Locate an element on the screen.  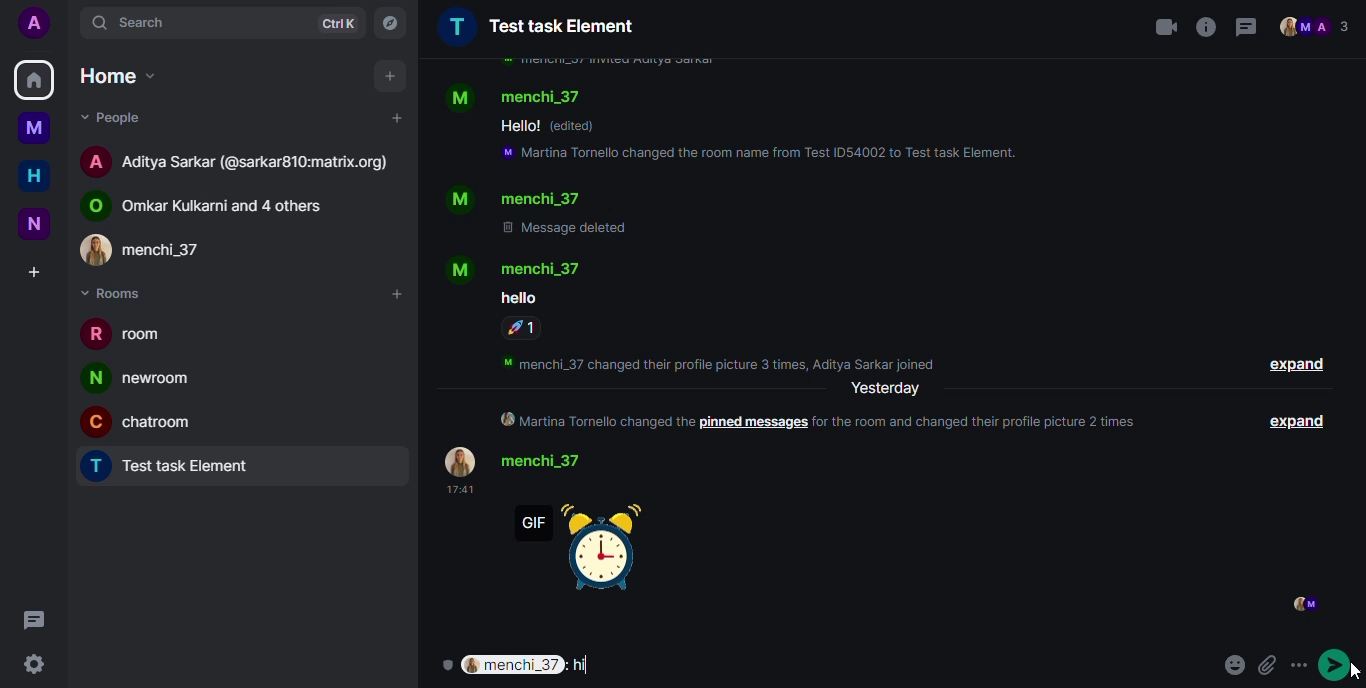
reaction is located at coordinates (523, 328).